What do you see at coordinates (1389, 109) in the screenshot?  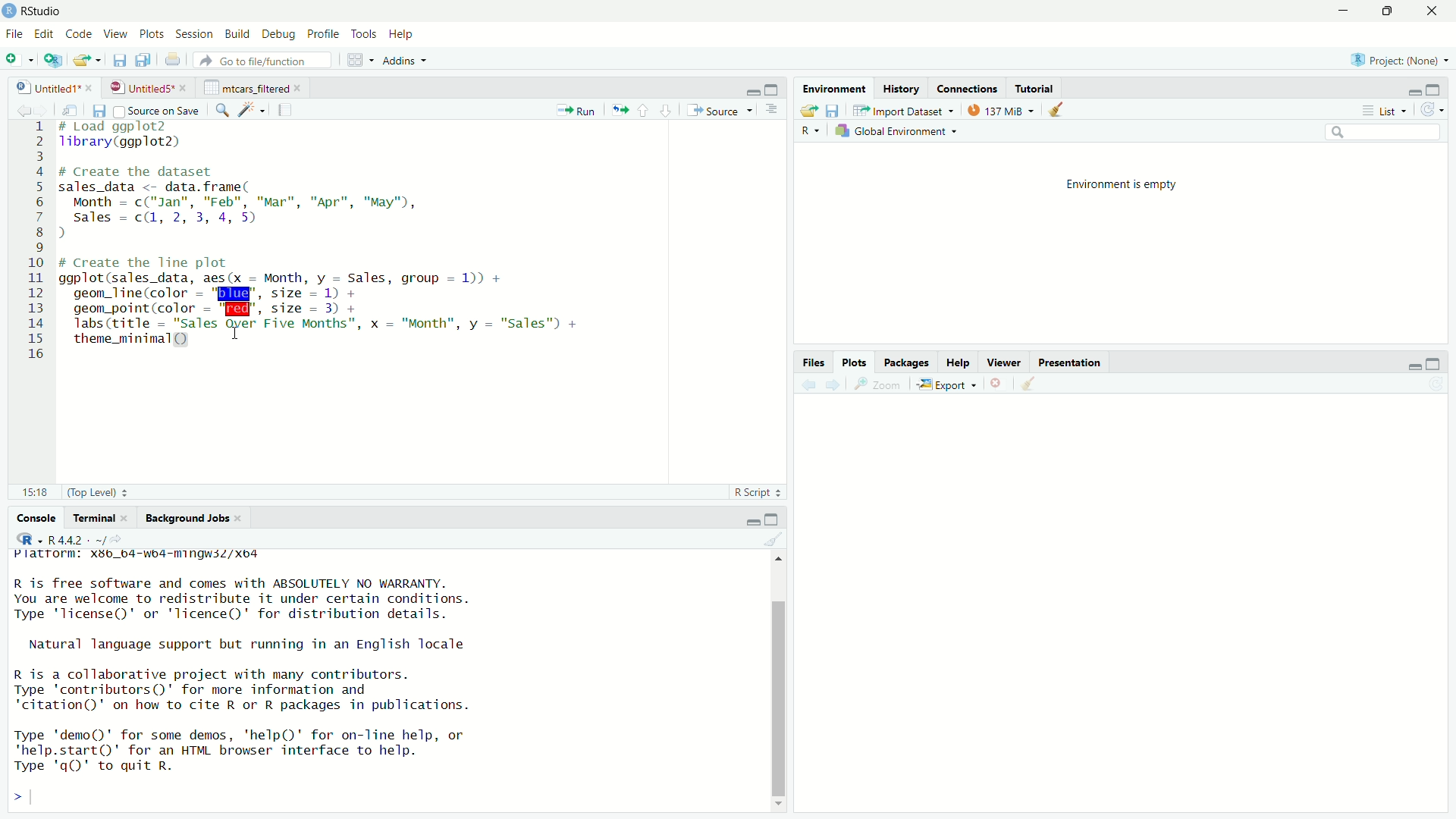 I see `list` at bounding box center [1389, 109].